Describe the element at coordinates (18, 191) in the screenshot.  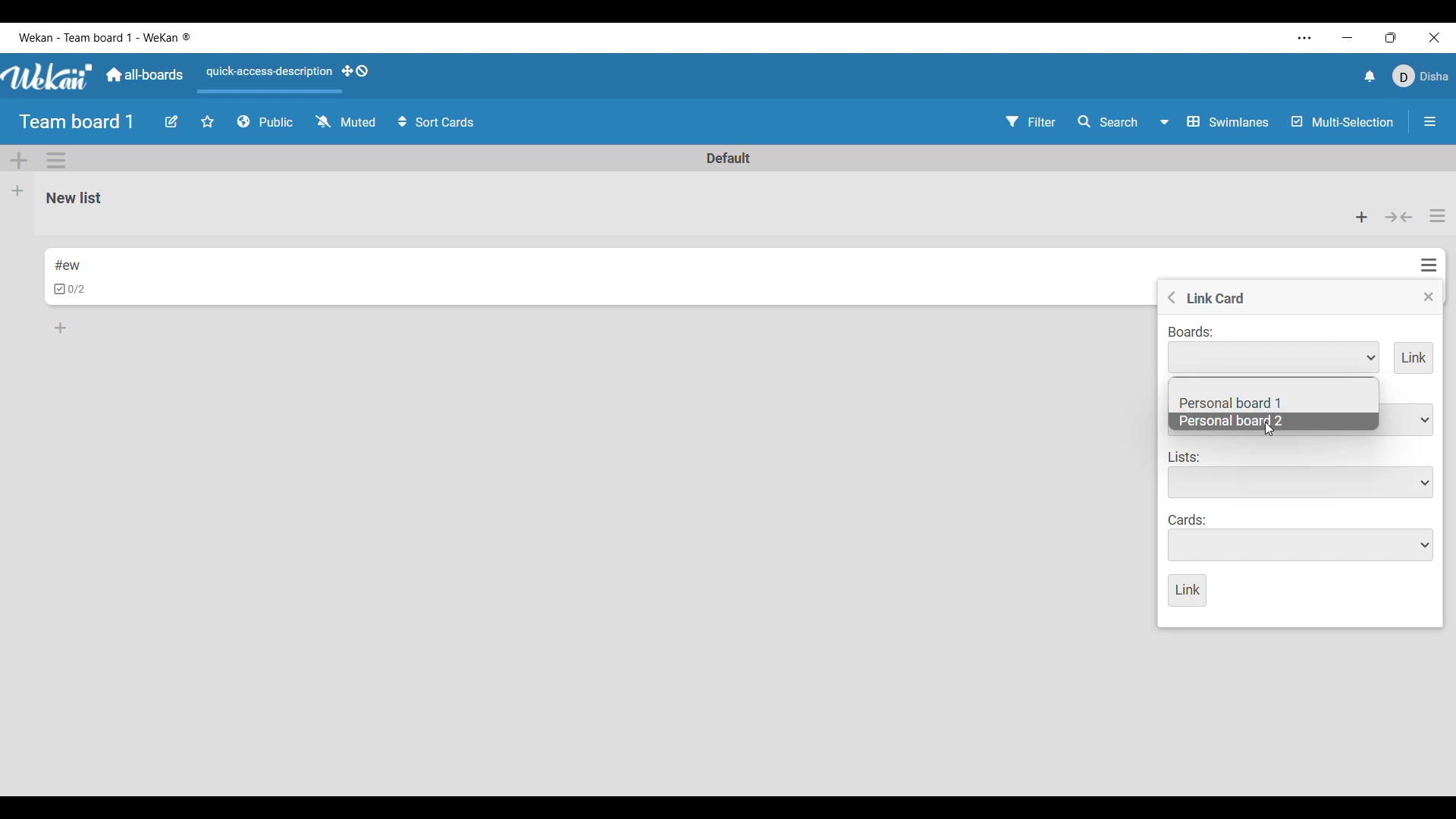
I see `Add list` at that location.